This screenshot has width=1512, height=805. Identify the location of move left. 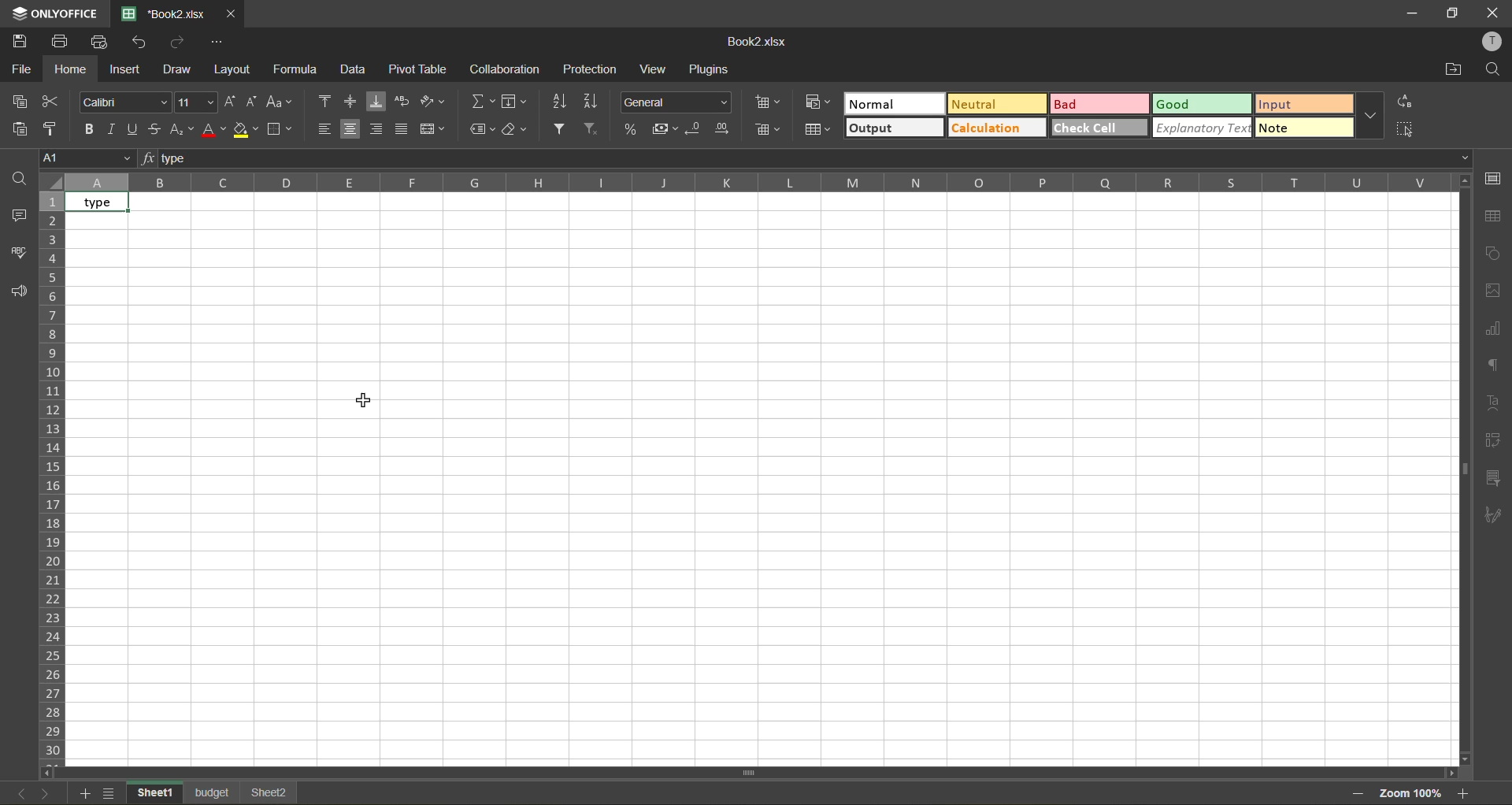
(54, 771).